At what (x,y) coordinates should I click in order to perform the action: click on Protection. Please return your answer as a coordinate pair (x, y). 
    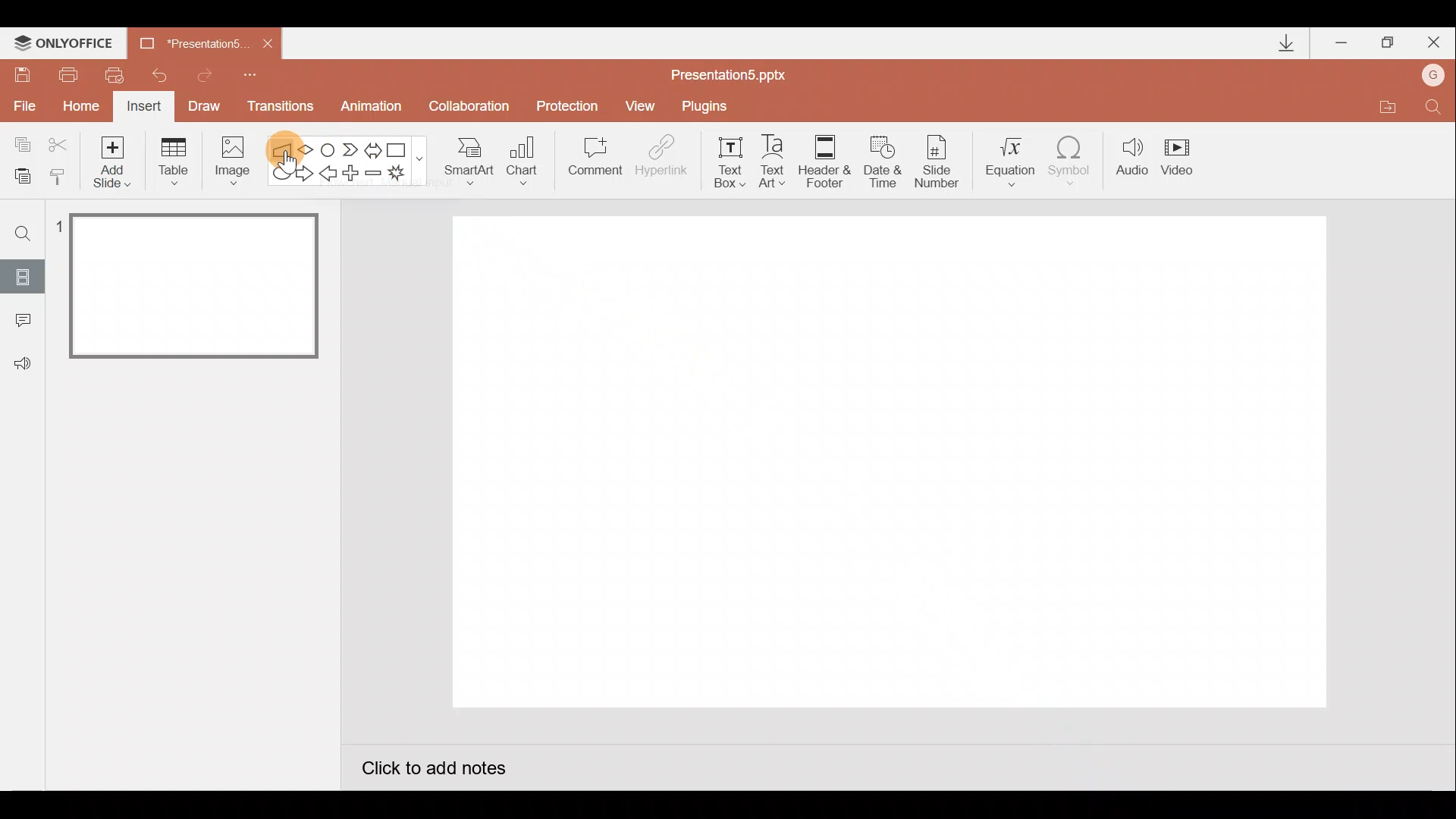
    Looking at the image, I should click on (572, 105).